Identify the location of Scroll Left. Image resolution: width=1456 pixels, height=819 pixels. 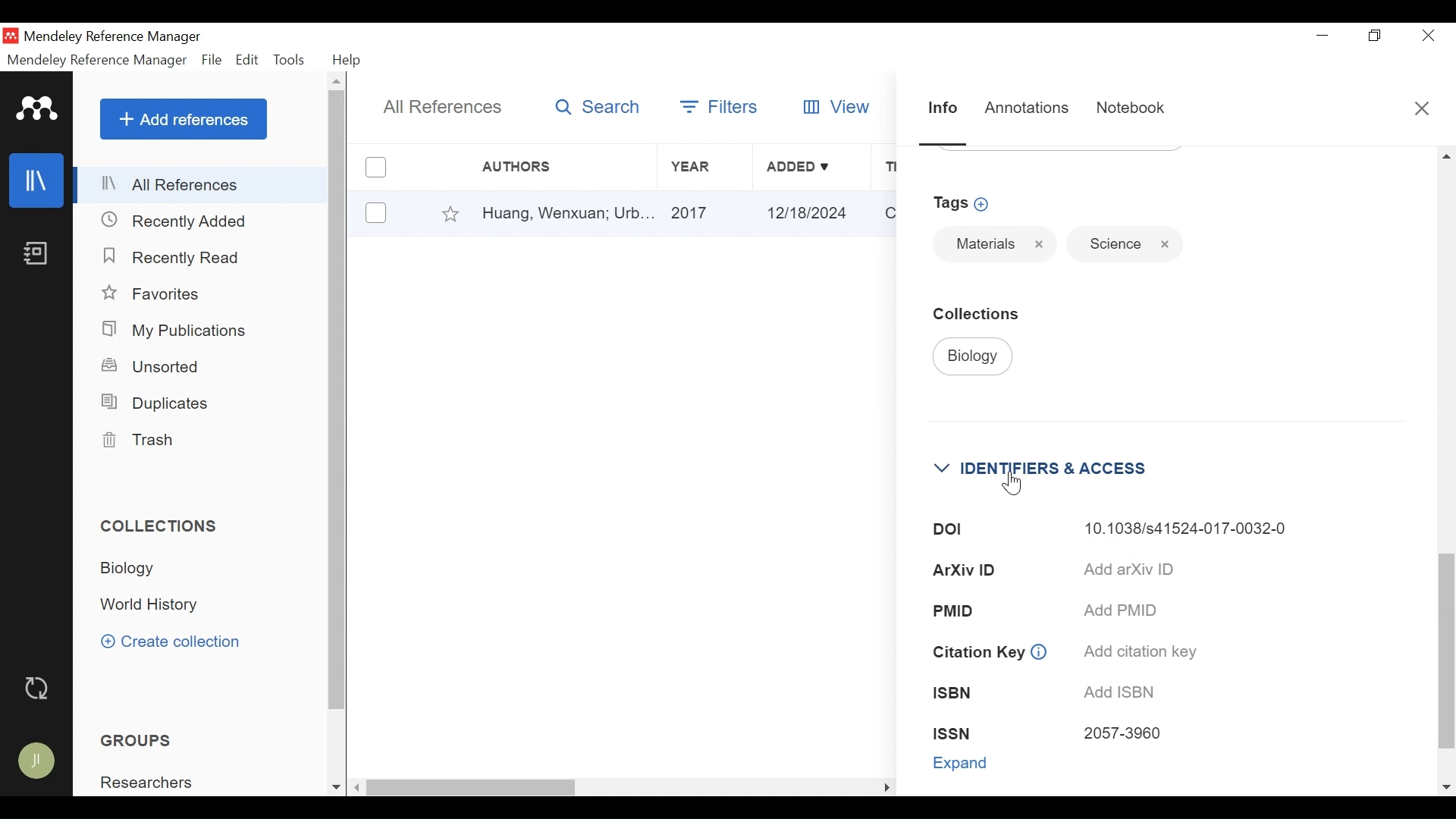
(358, 788).